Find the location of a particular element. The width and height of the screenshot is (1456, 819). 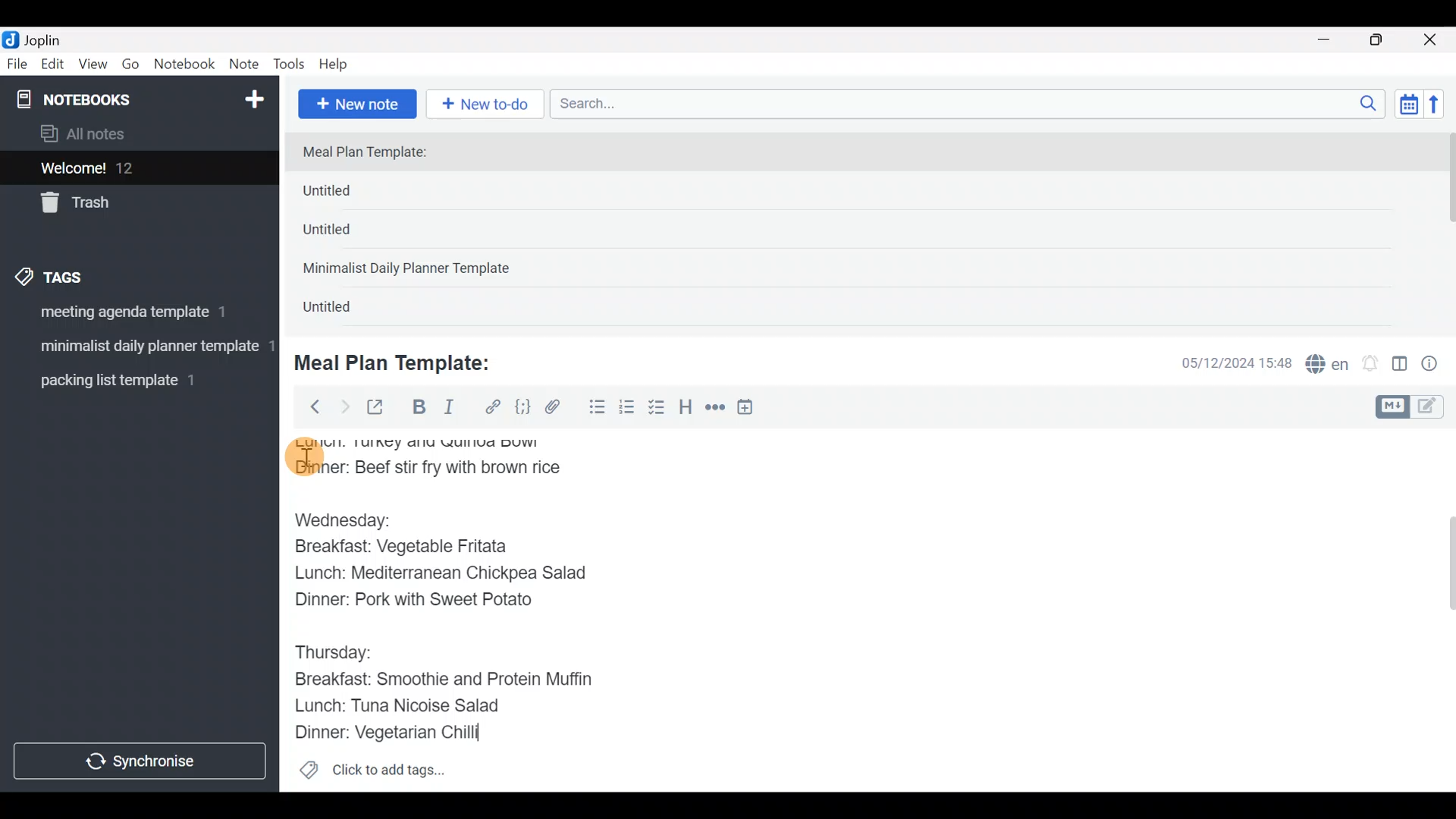

Edit is located at coordinates (53, 67).